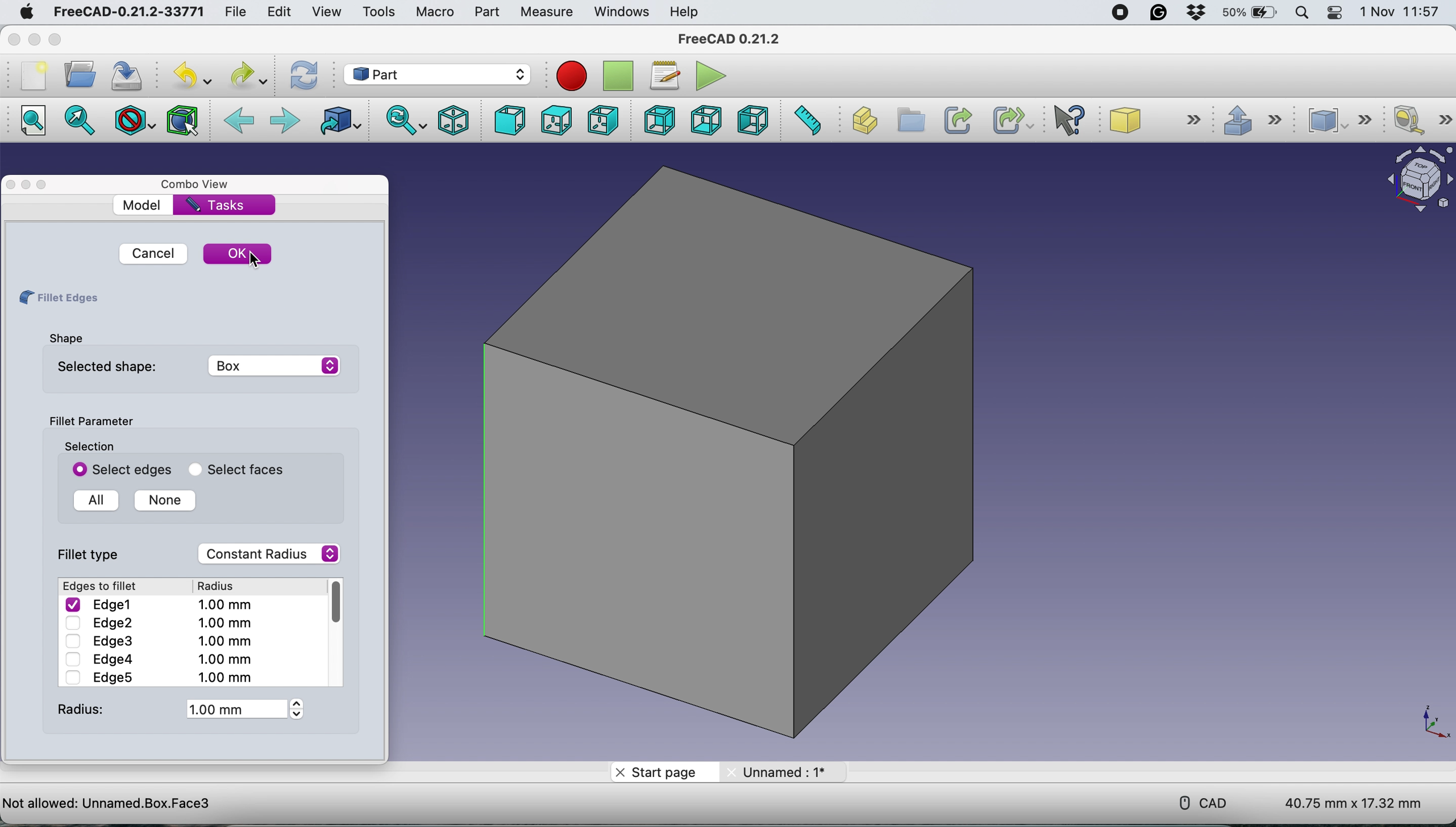  What do you see at coordinates (1154, 119) in the screenshot?
I see `cube` at bounding box center [1154, 119].